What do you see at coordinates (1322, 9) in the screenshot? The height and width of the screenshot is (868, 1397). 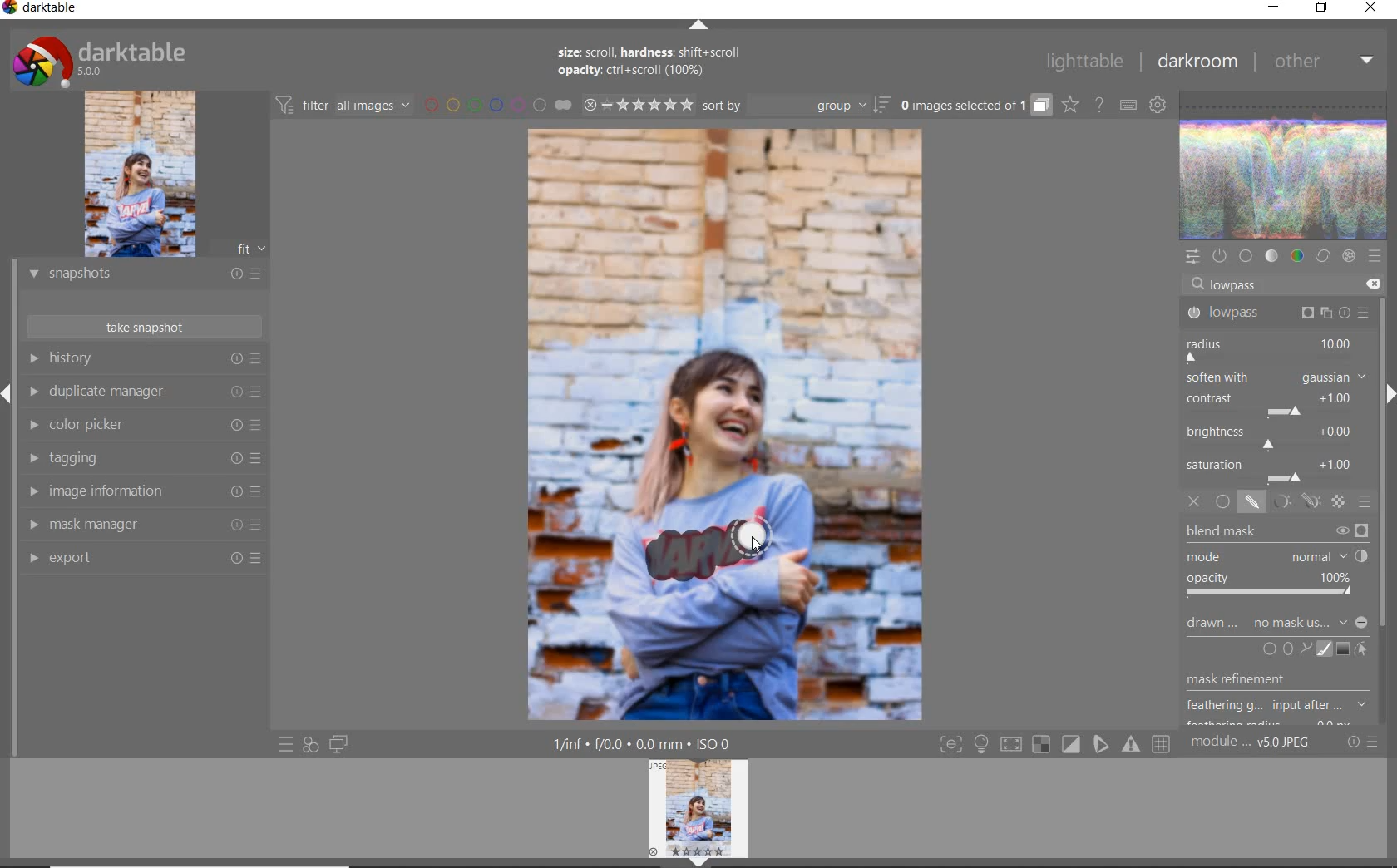 I see `restore` at bounding box center [1322, 9].